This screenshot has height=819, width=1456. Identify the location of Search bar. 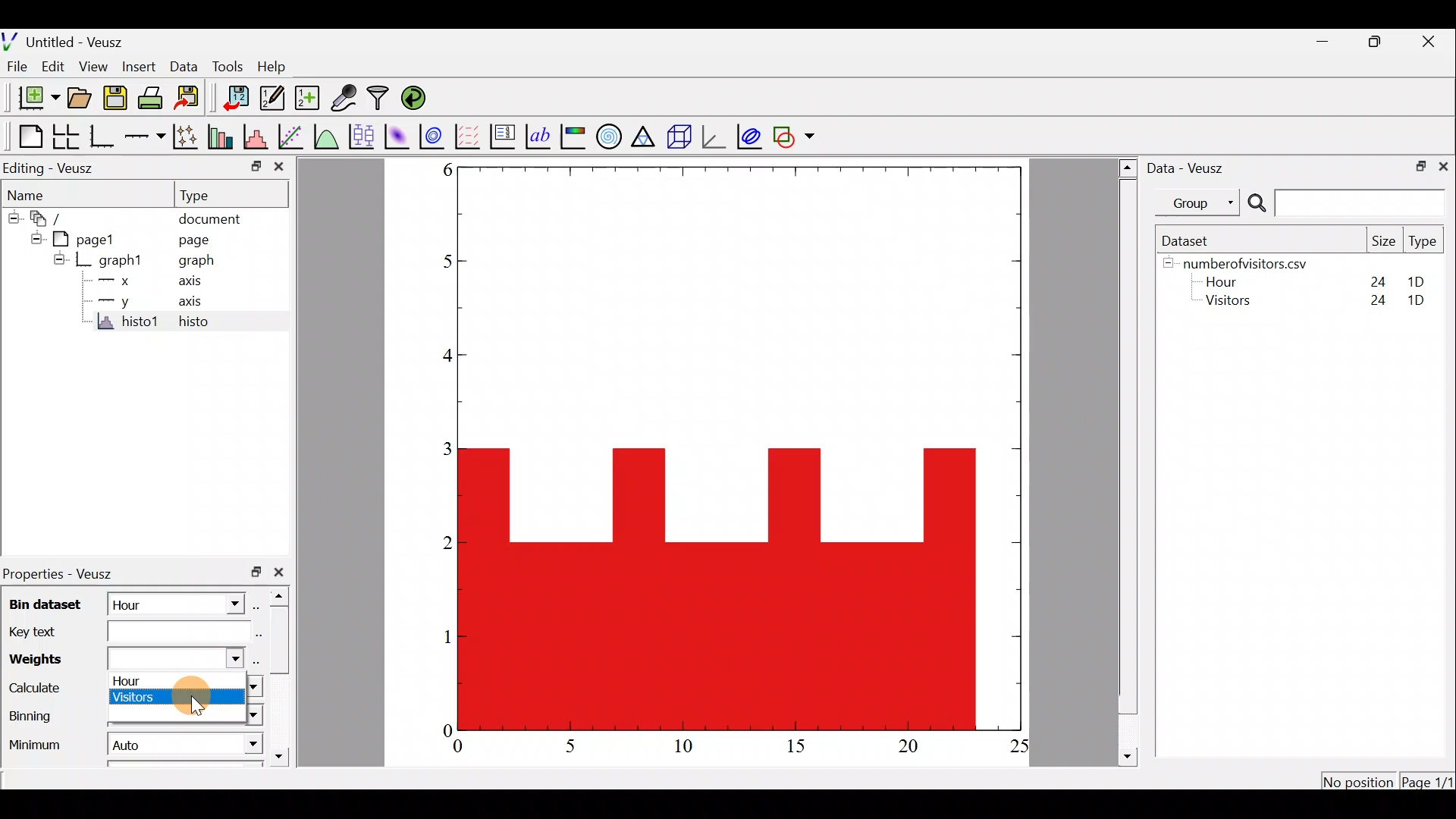
(1346, 203).